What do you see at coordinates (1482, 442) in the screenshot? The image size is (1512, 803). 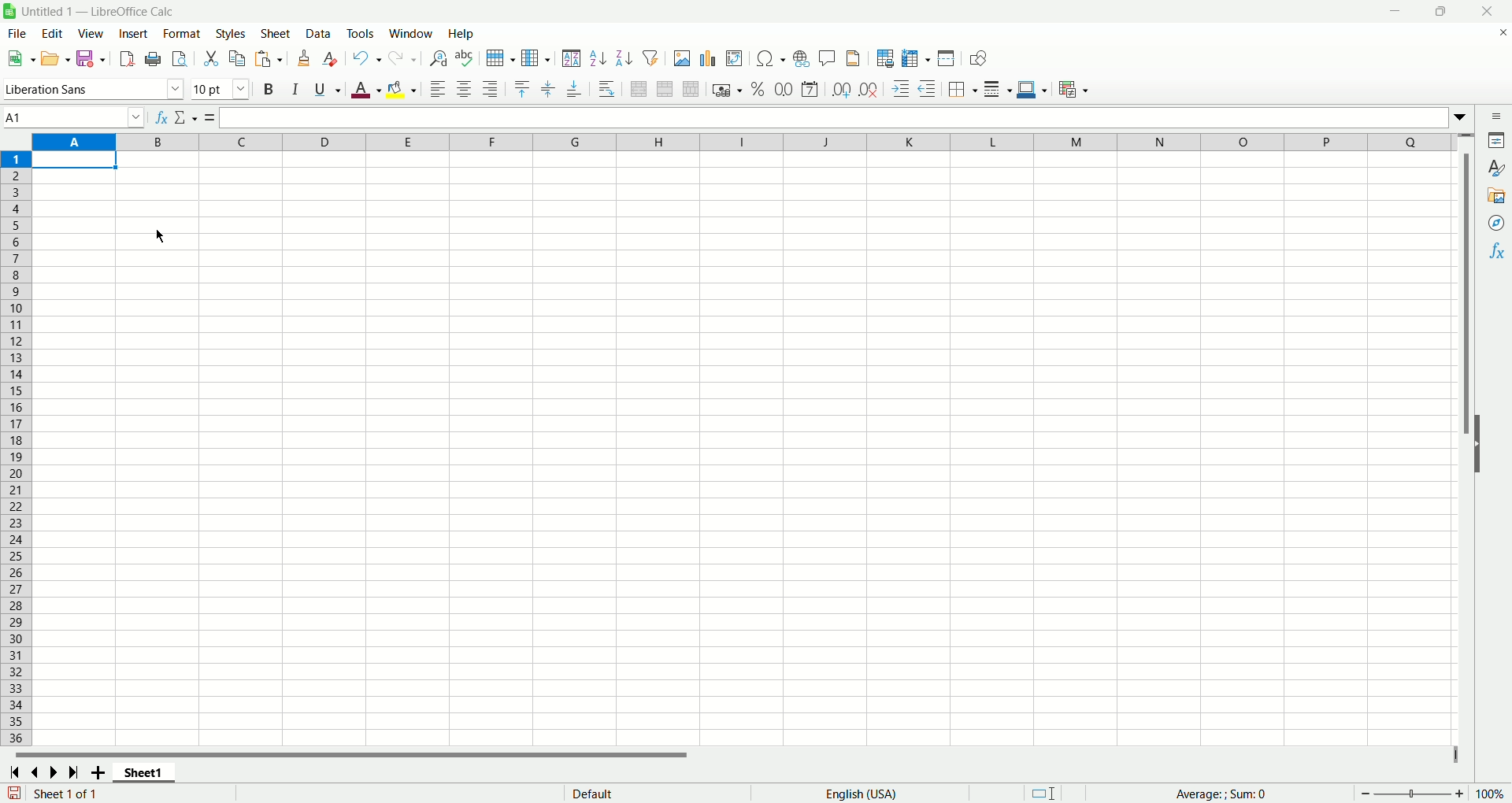 I see `hide` at bounding box center [1482, 442].